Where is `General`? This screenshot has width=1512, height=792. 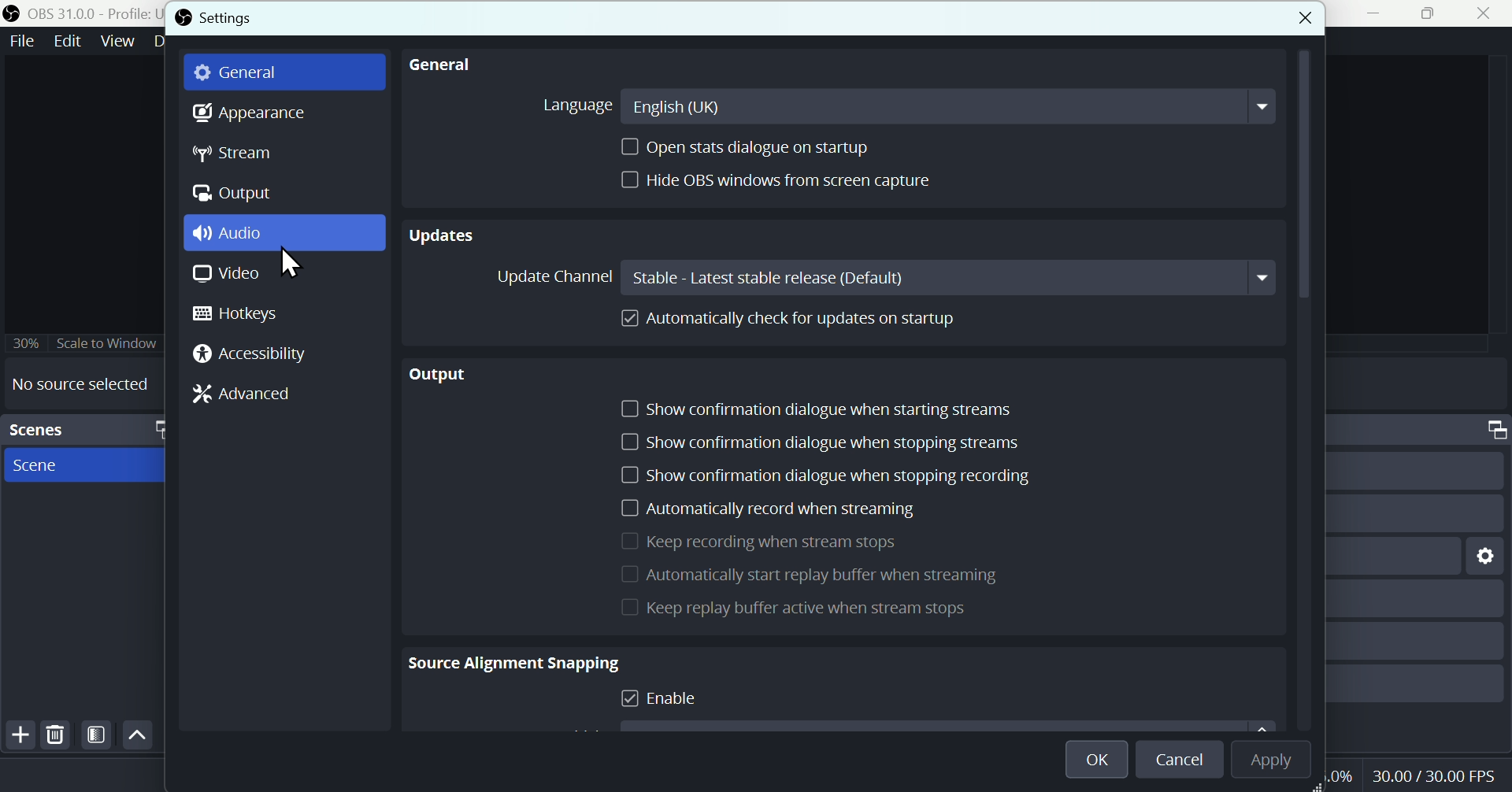
General is located at coordinates (235, 74).